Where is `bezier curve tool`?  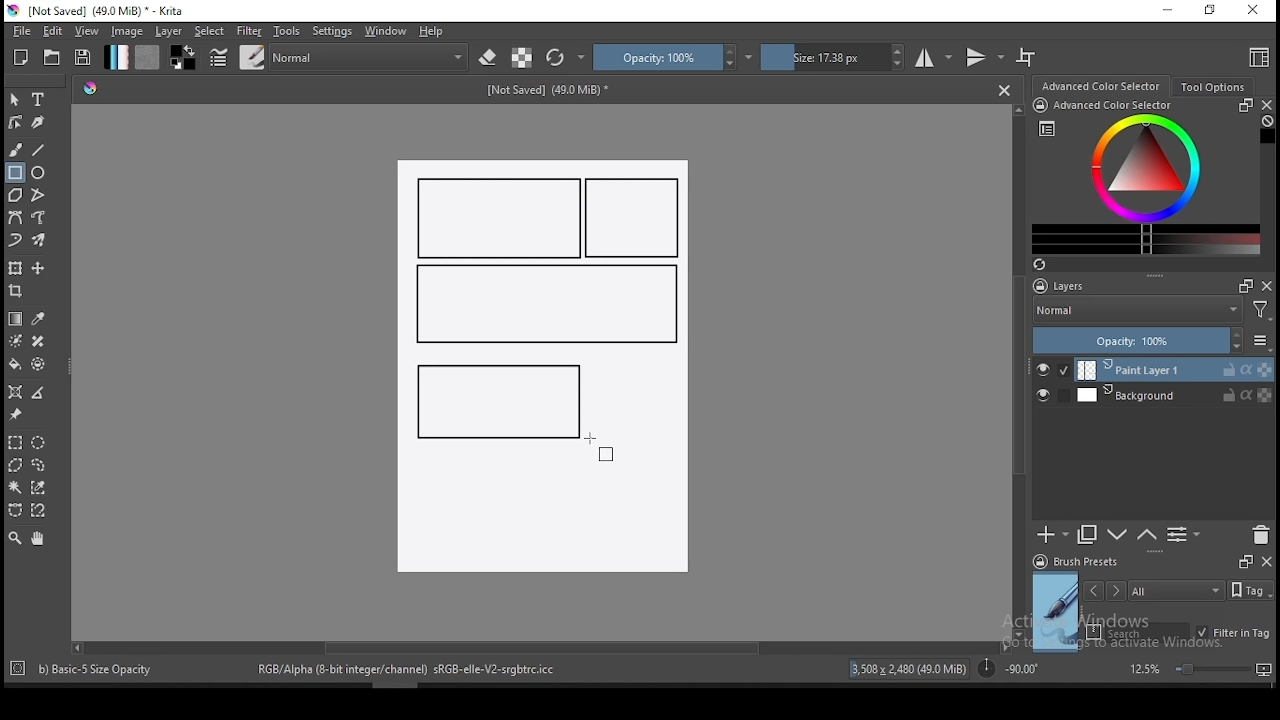
bezier curve tool is located at coordinates (14, 219).